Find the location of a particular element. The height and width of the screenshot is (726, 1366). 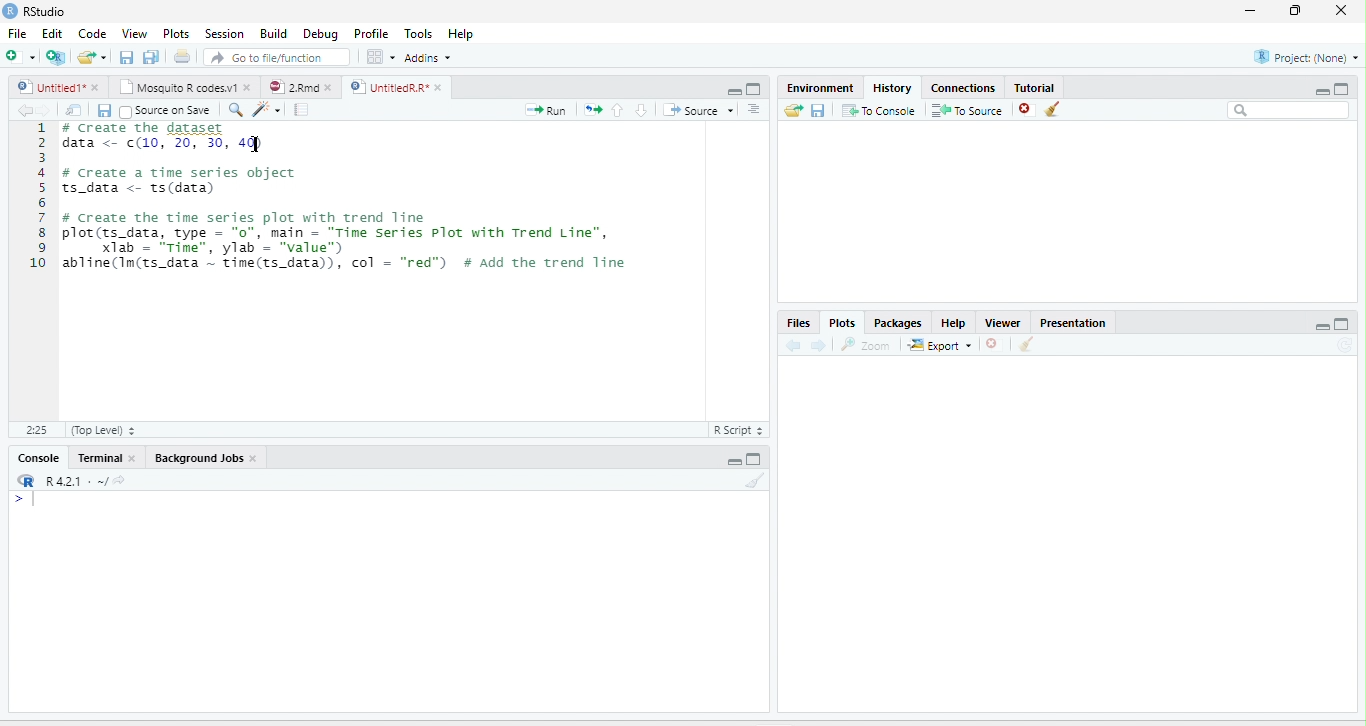

Go back to previous source location is located at coordinates (22, 110).